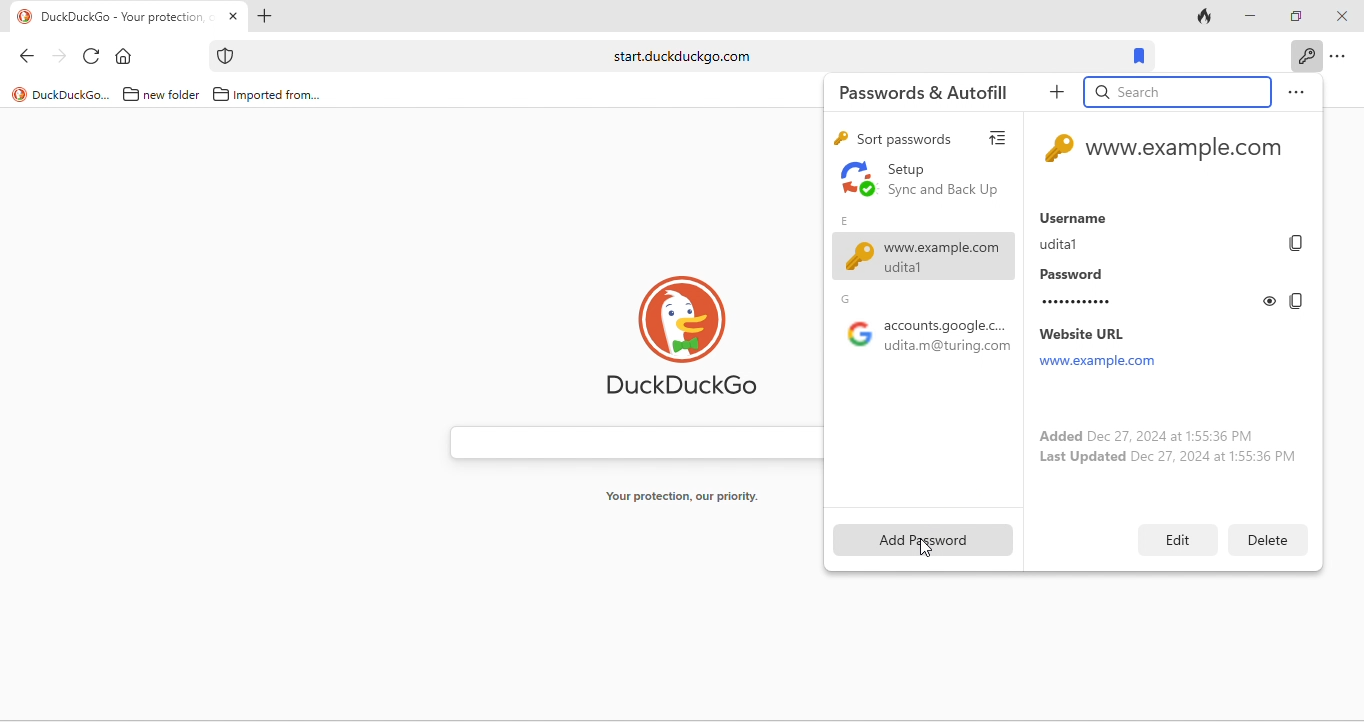 The image size is (1364, 722). Describe the element at coordinates (1295, 243) in the screenshot. I see `copy` at that location.